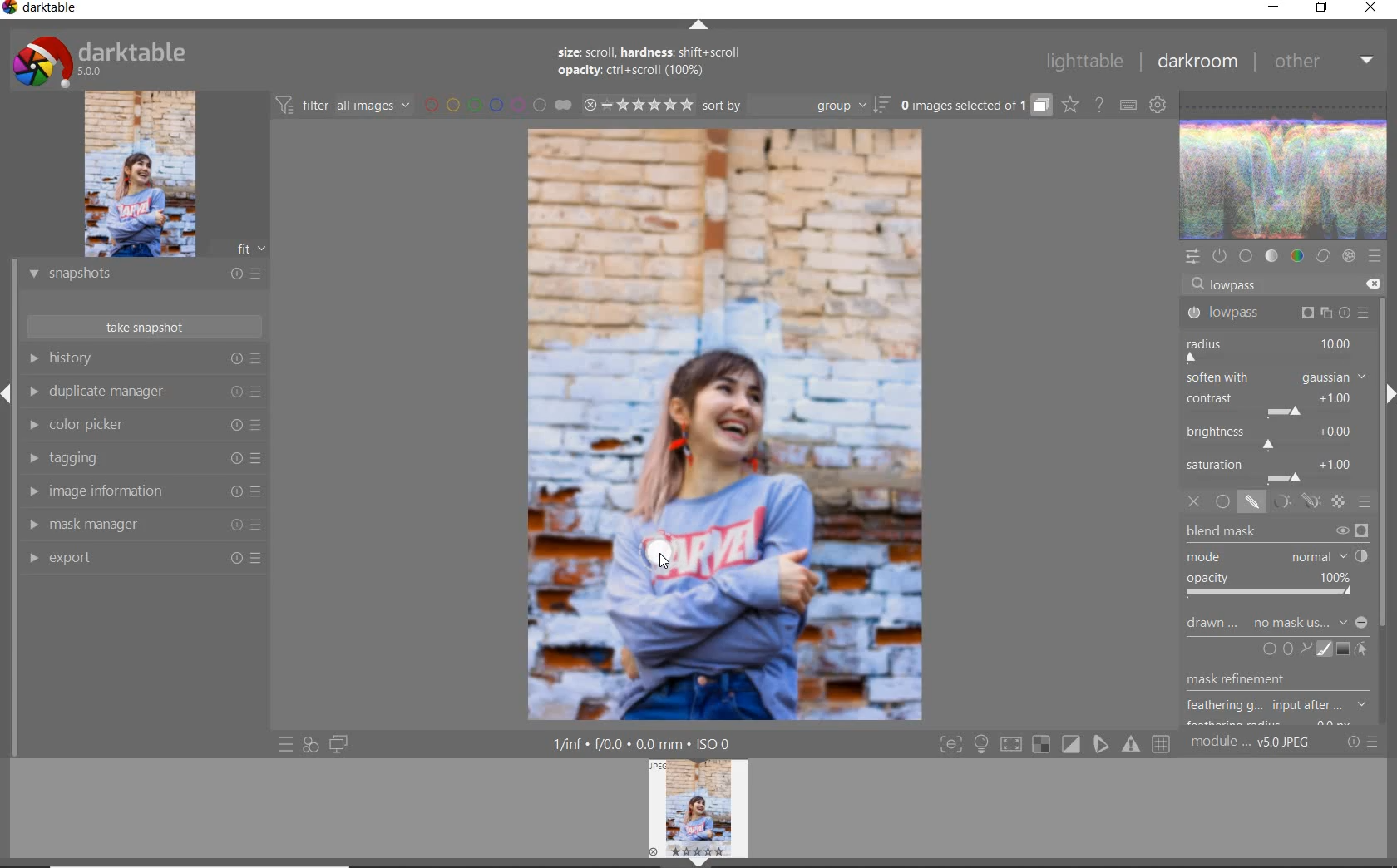  I want to click on image preview, so click(163, 173).